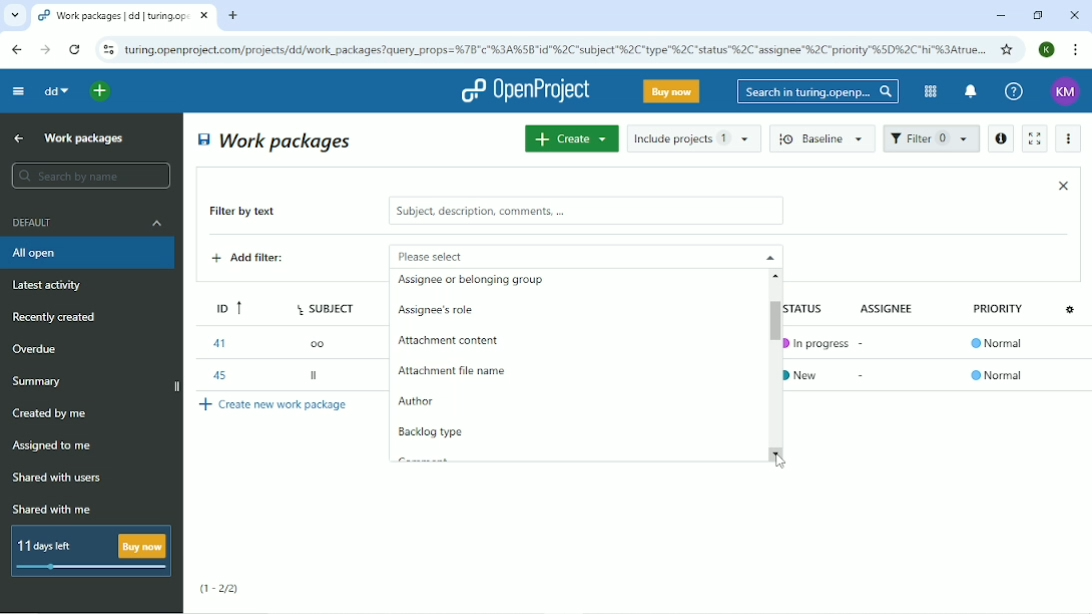 Image resolution: width=1092 pixels, height=614 pixels. What do you see at coordinates (814, 307) in the screenshot?
I see `Status` at bounding box center [814, 307].